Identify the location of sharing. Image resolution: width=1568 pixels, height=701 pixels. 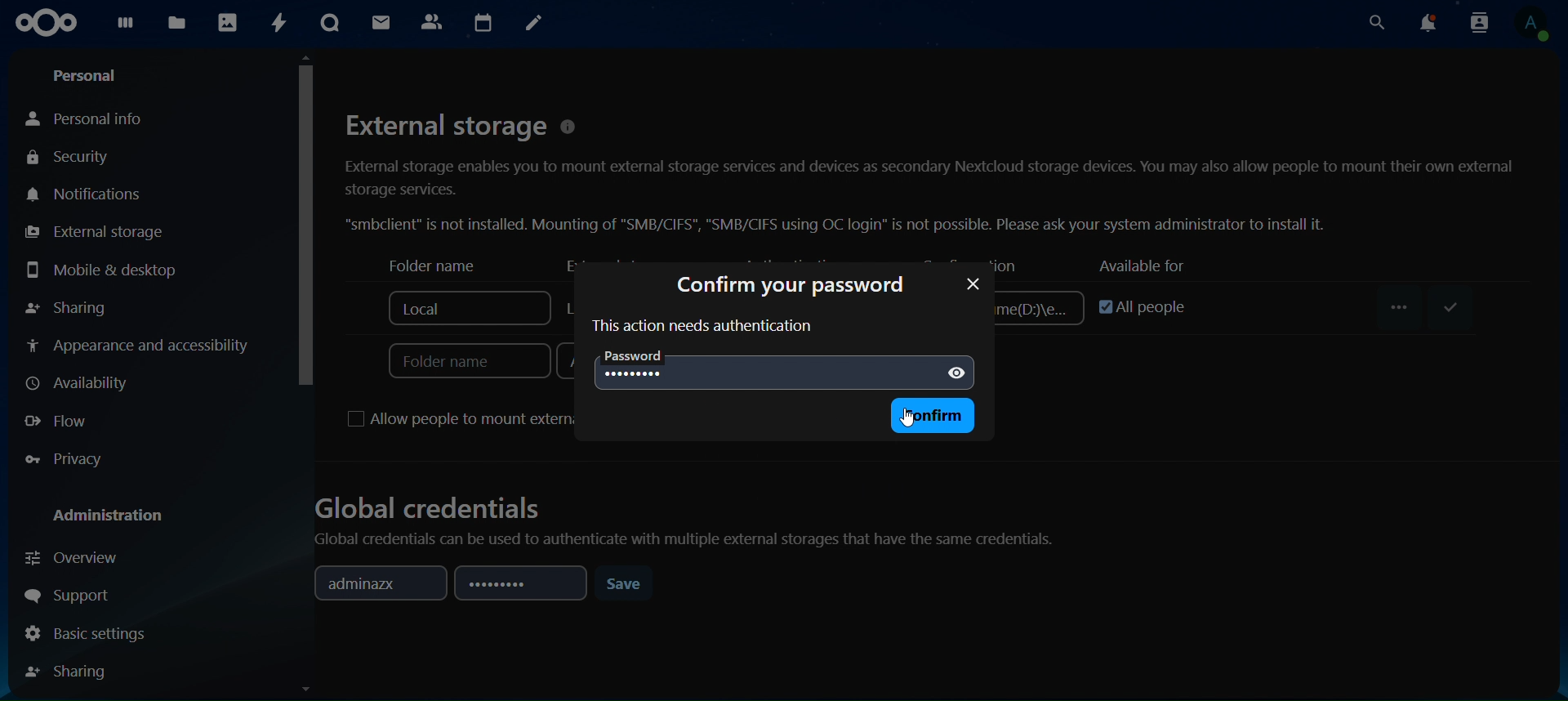
(72, 671).